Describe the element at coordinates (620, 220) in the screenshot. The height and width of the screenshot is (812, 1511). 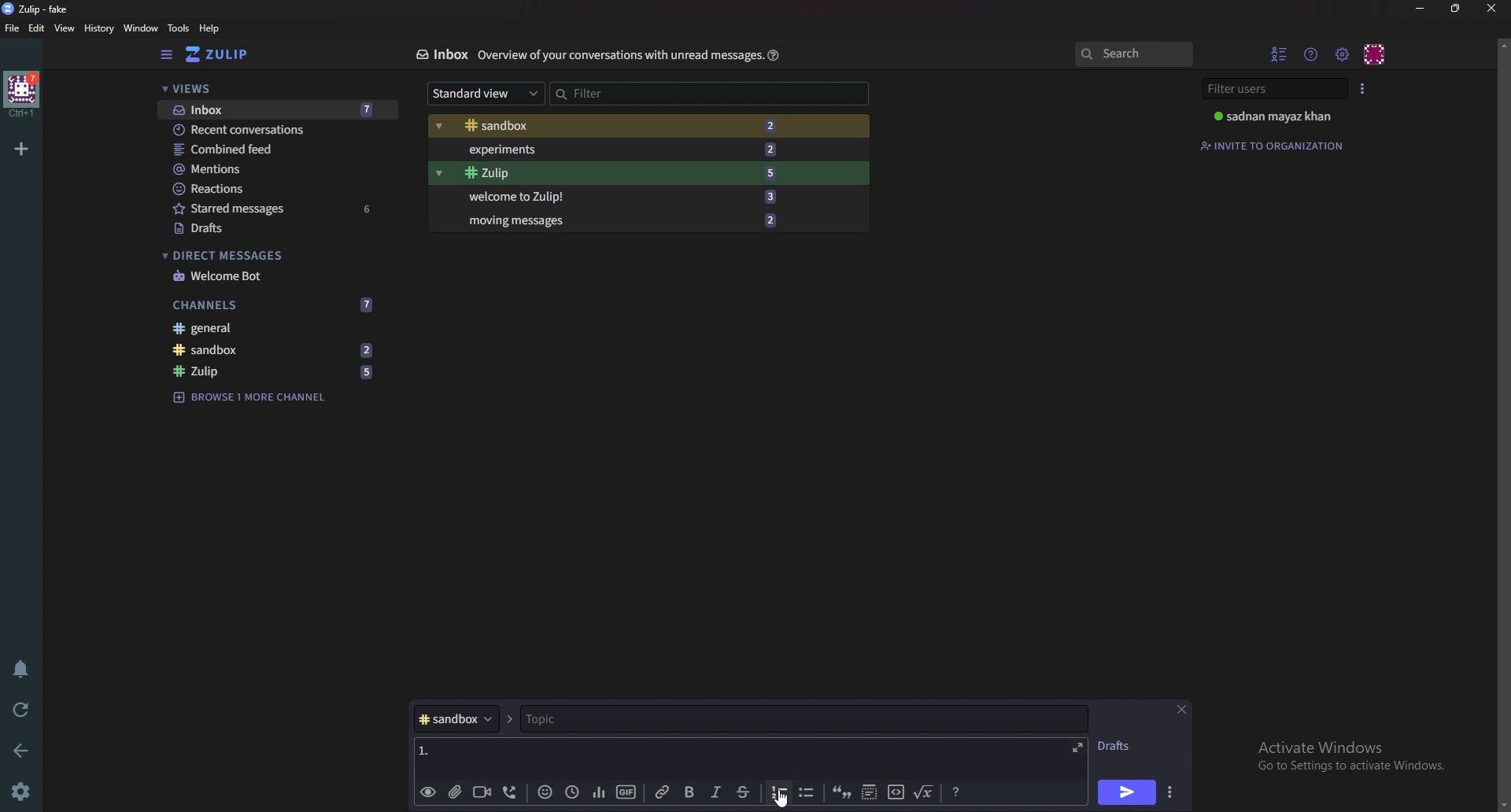
I see `Moving messages` at that location.